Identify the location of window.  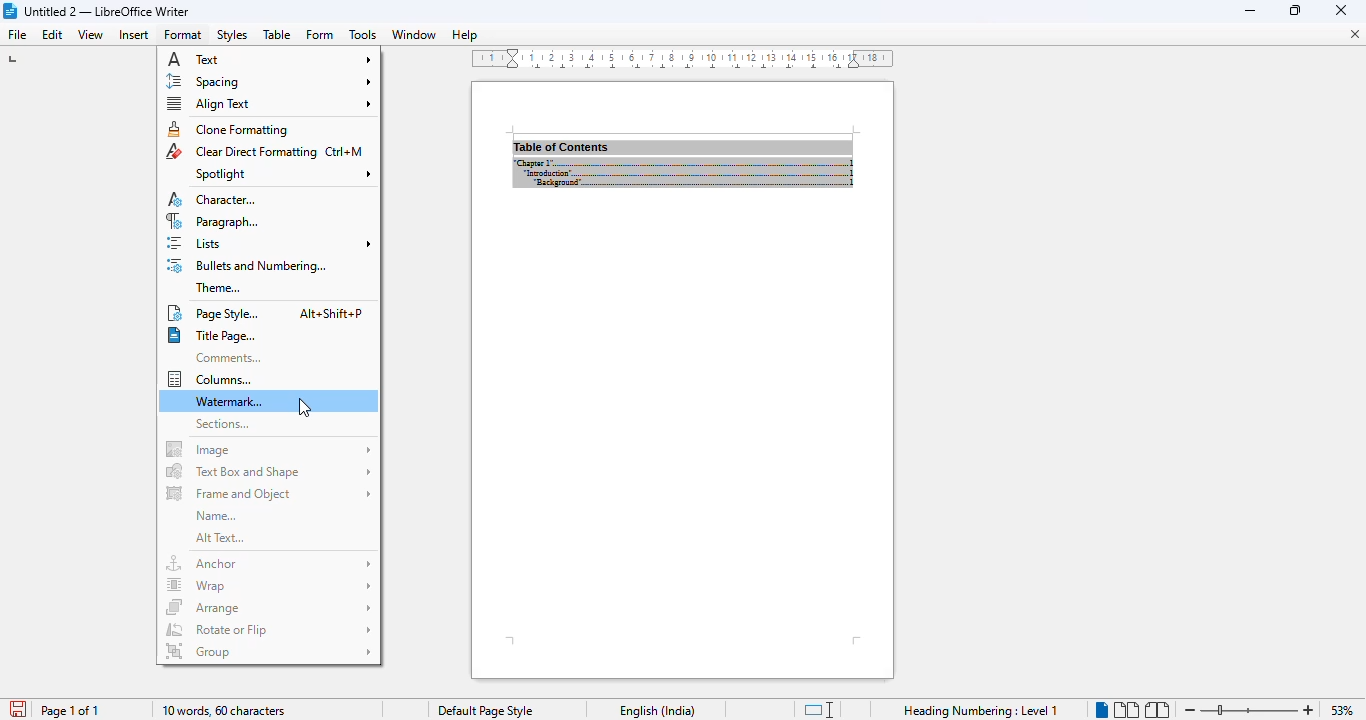
(414, 34).